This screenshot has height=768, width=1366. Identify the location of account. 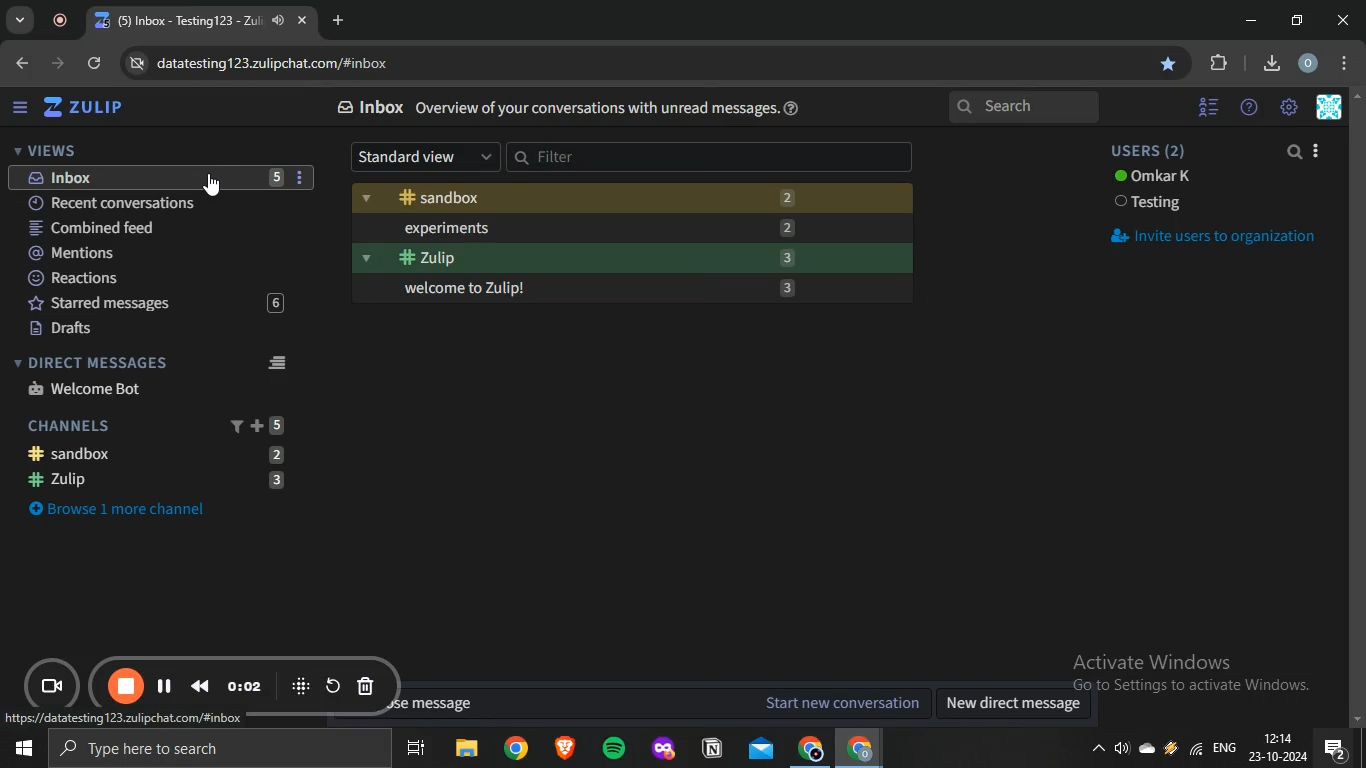
(1309, 64).